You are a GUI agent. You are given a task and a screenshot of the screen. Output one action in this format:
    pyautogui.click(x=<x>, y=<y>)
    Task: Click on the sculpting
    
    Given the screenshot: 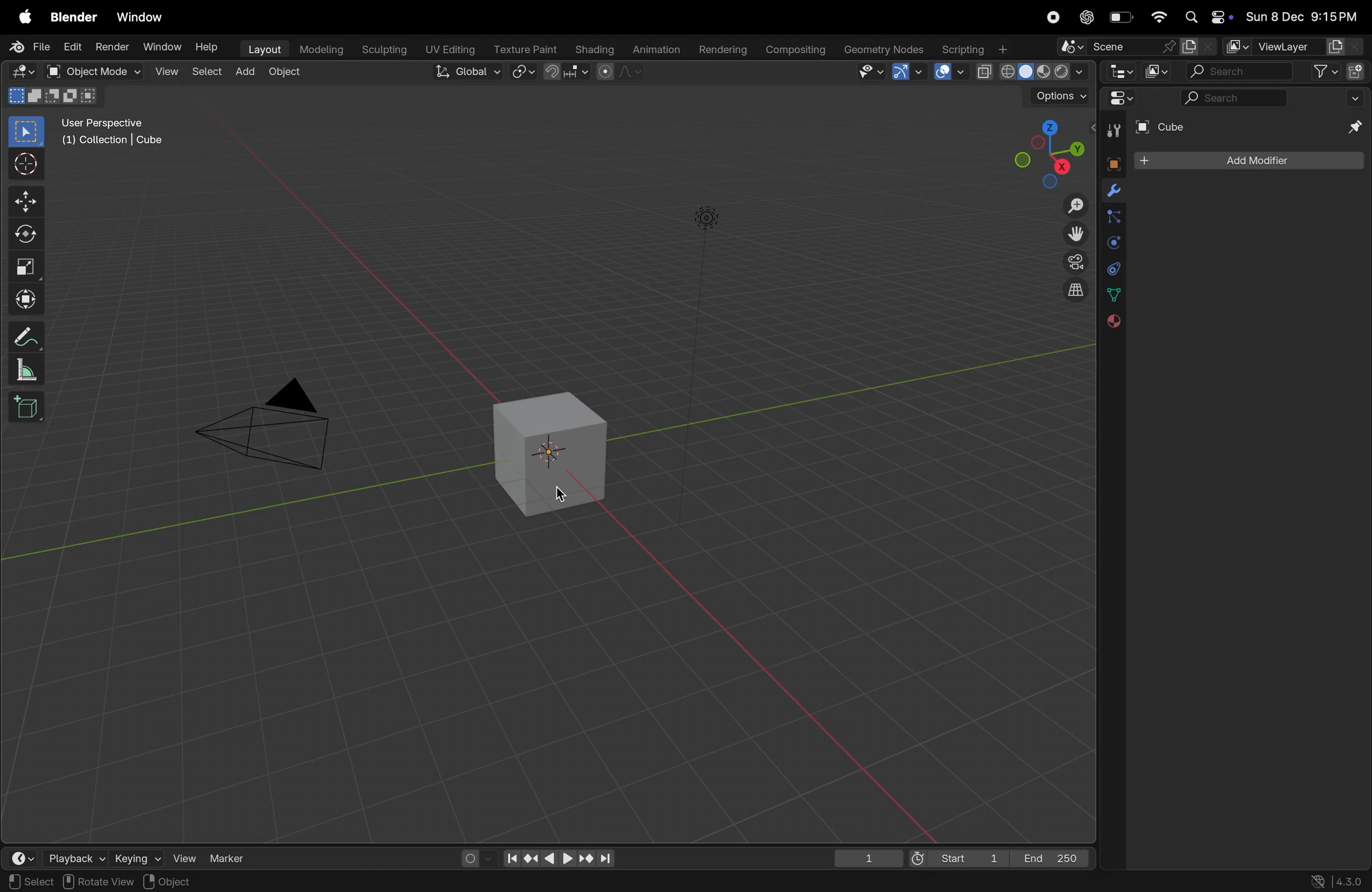 What is the action you would take?
    pyautogui.click(x=385, y=48)
    